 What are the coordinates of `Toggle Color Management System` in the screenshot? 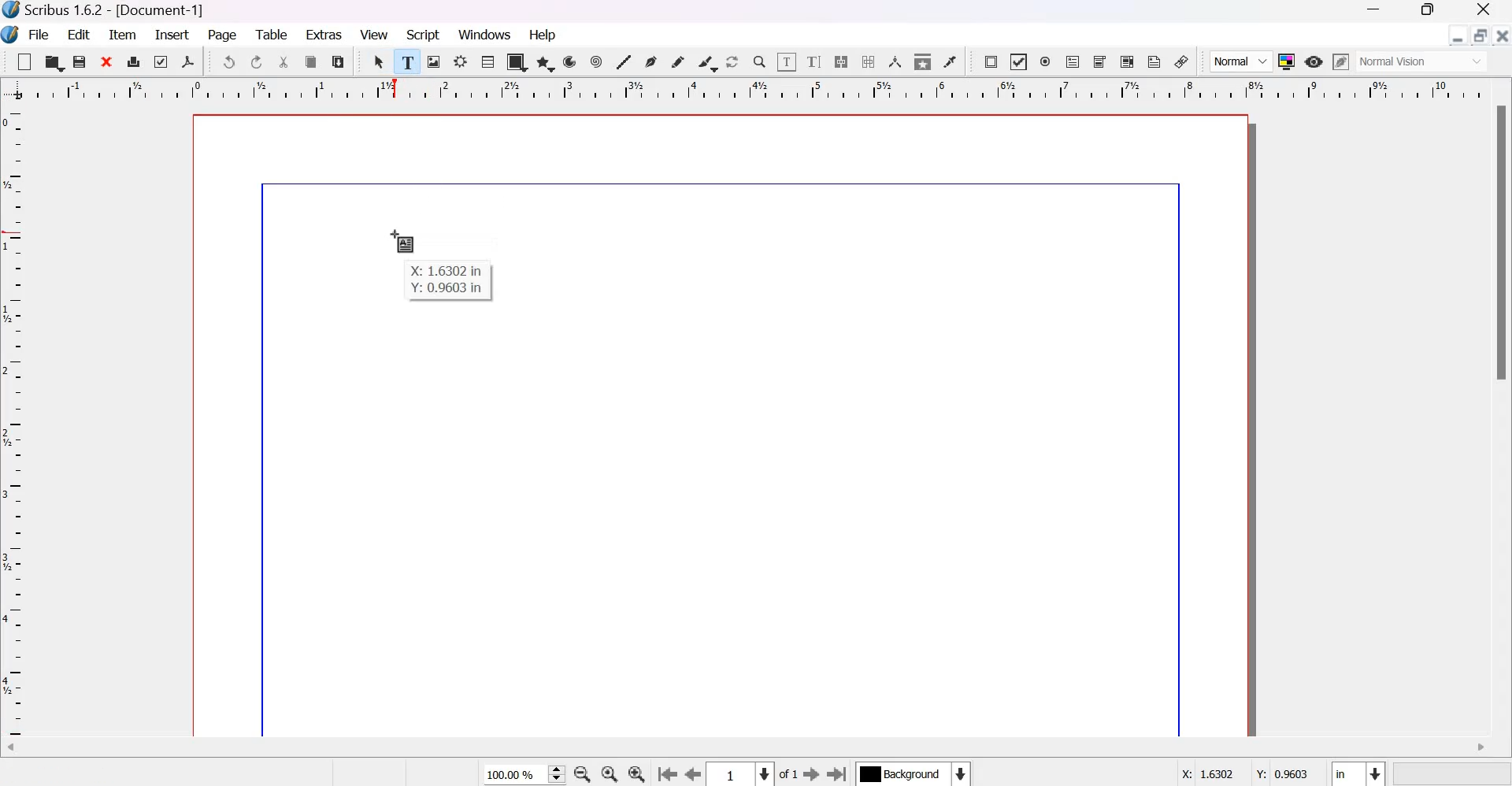 It's located at (1287, 61).